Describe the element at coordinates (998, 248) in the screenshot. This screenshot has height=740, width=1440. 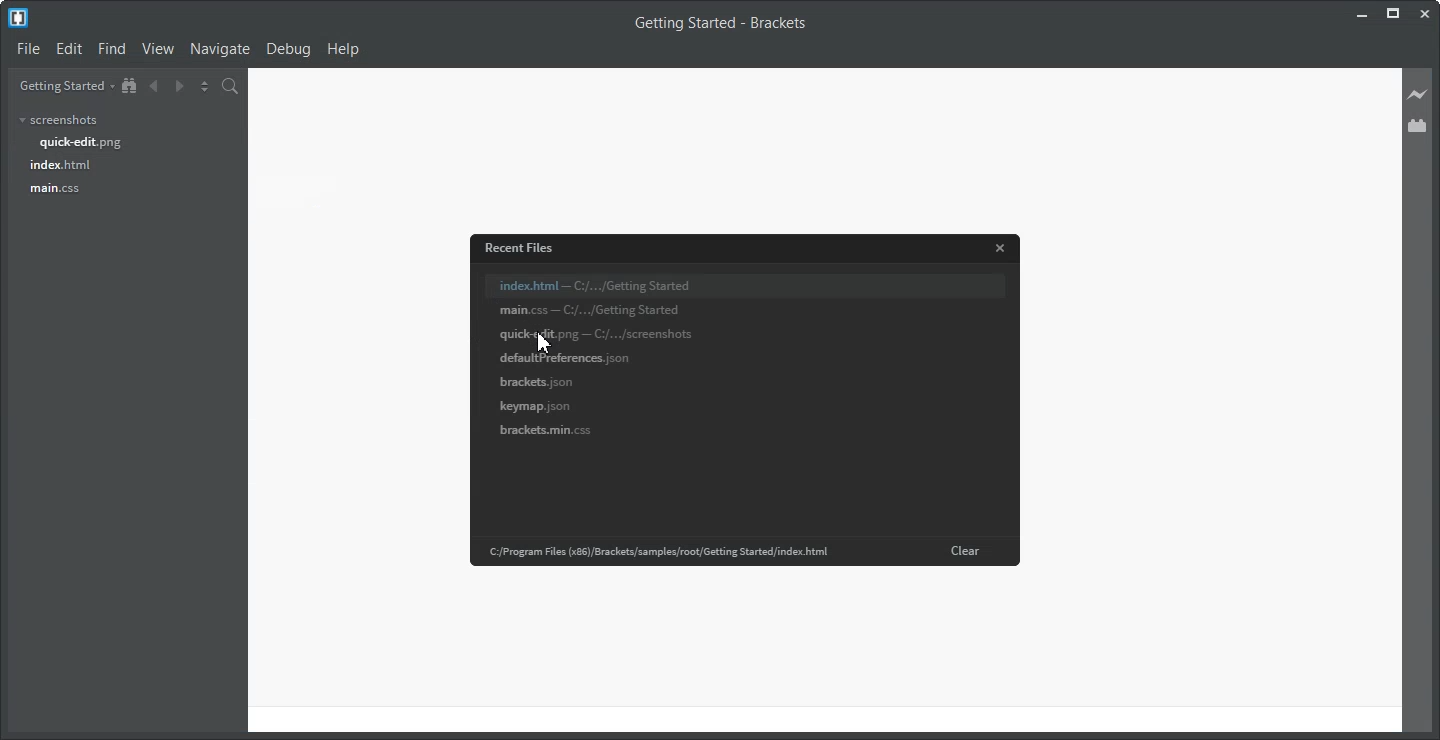
I see `Close` at that location.